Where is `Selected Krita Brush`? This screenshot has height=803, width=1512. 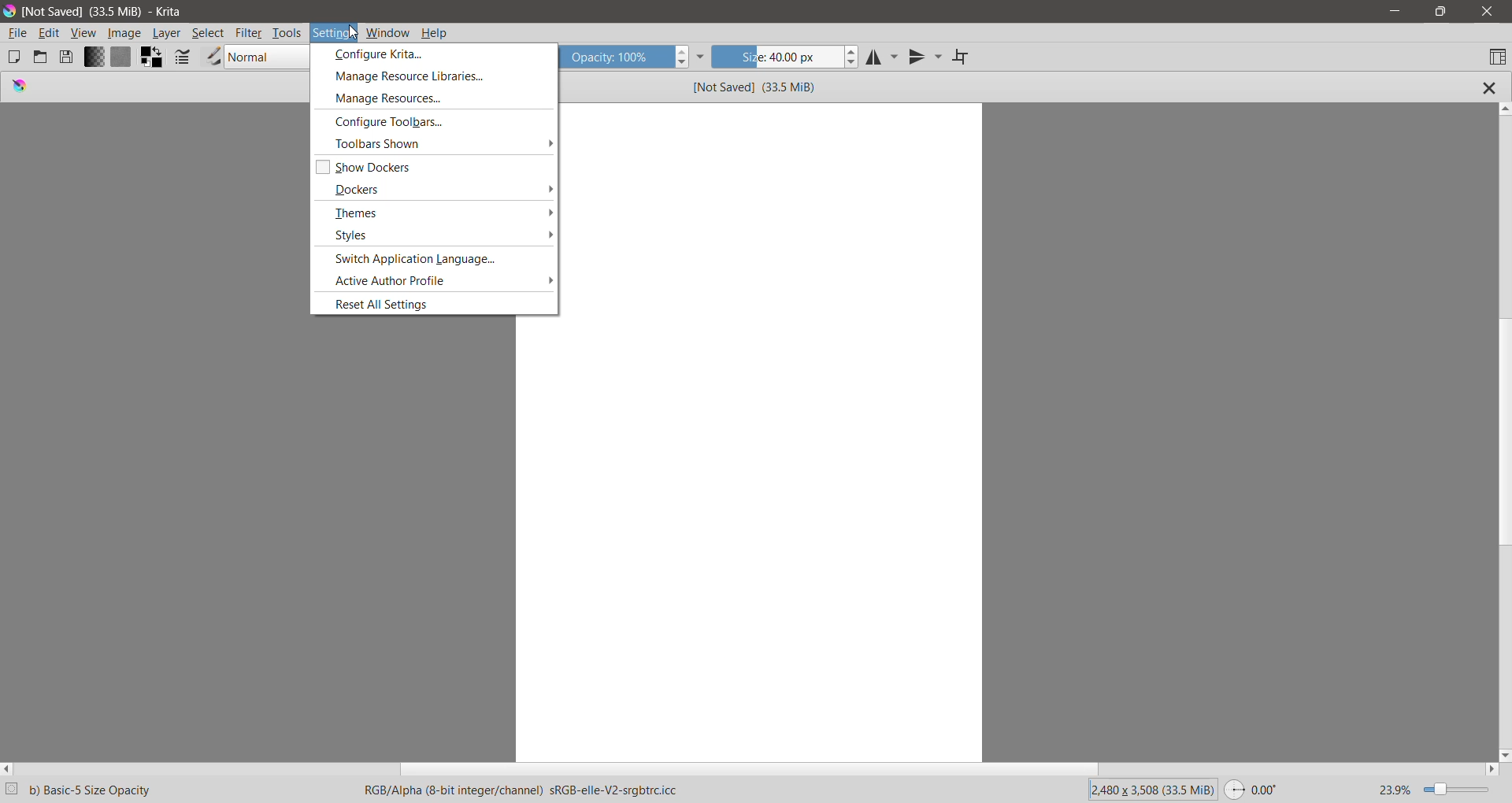 Selected Krita Brush is located at coordinates (88, 791).